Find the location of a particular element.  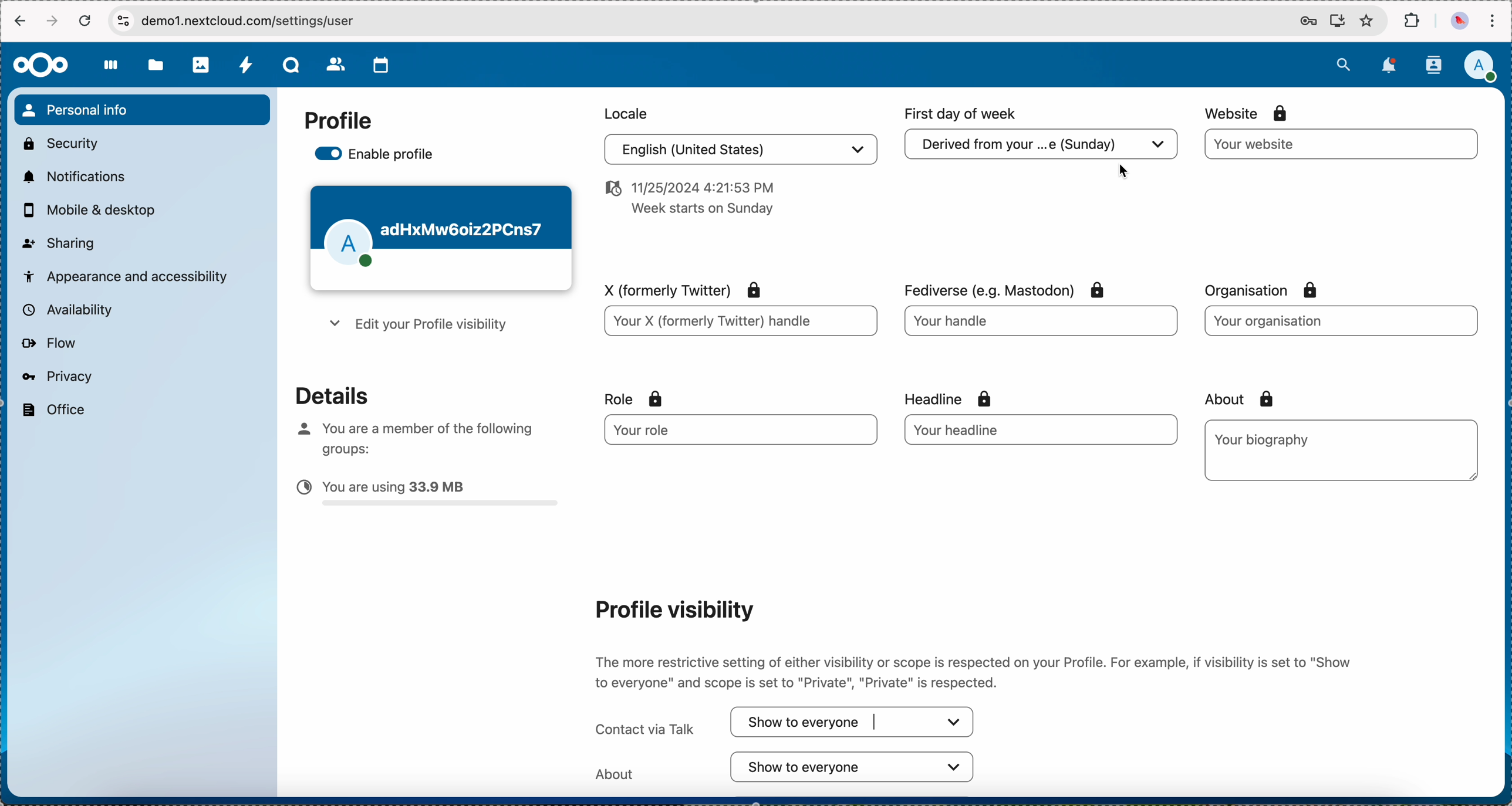

files is located at coordinates (156, 67).